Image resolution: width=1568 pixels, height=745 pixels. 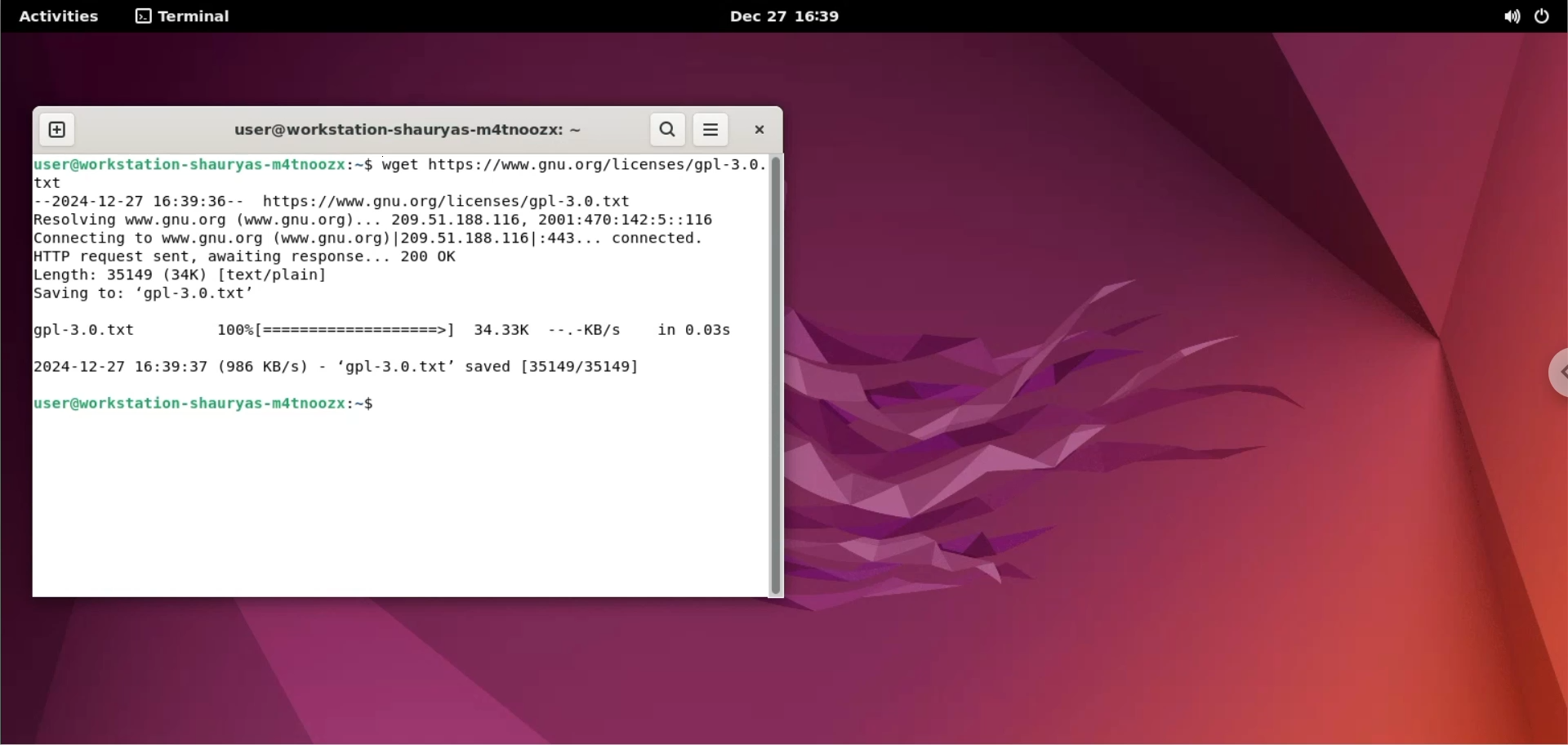 I want to click on search, so click(x=670, y=131).